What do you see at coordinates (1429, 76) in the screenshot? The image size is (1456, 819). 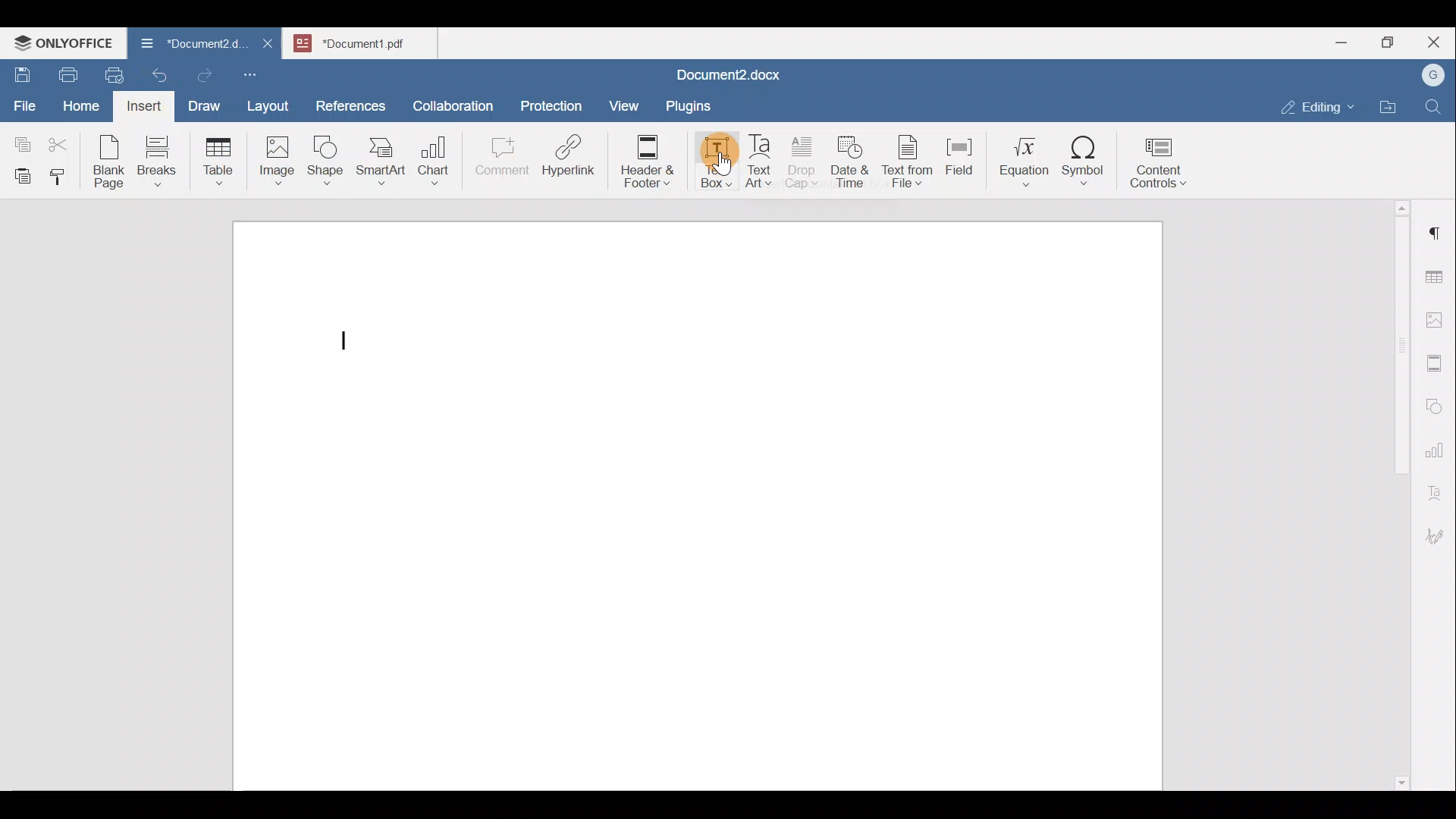 I see `Account name` at bounding box center [1429, 76].